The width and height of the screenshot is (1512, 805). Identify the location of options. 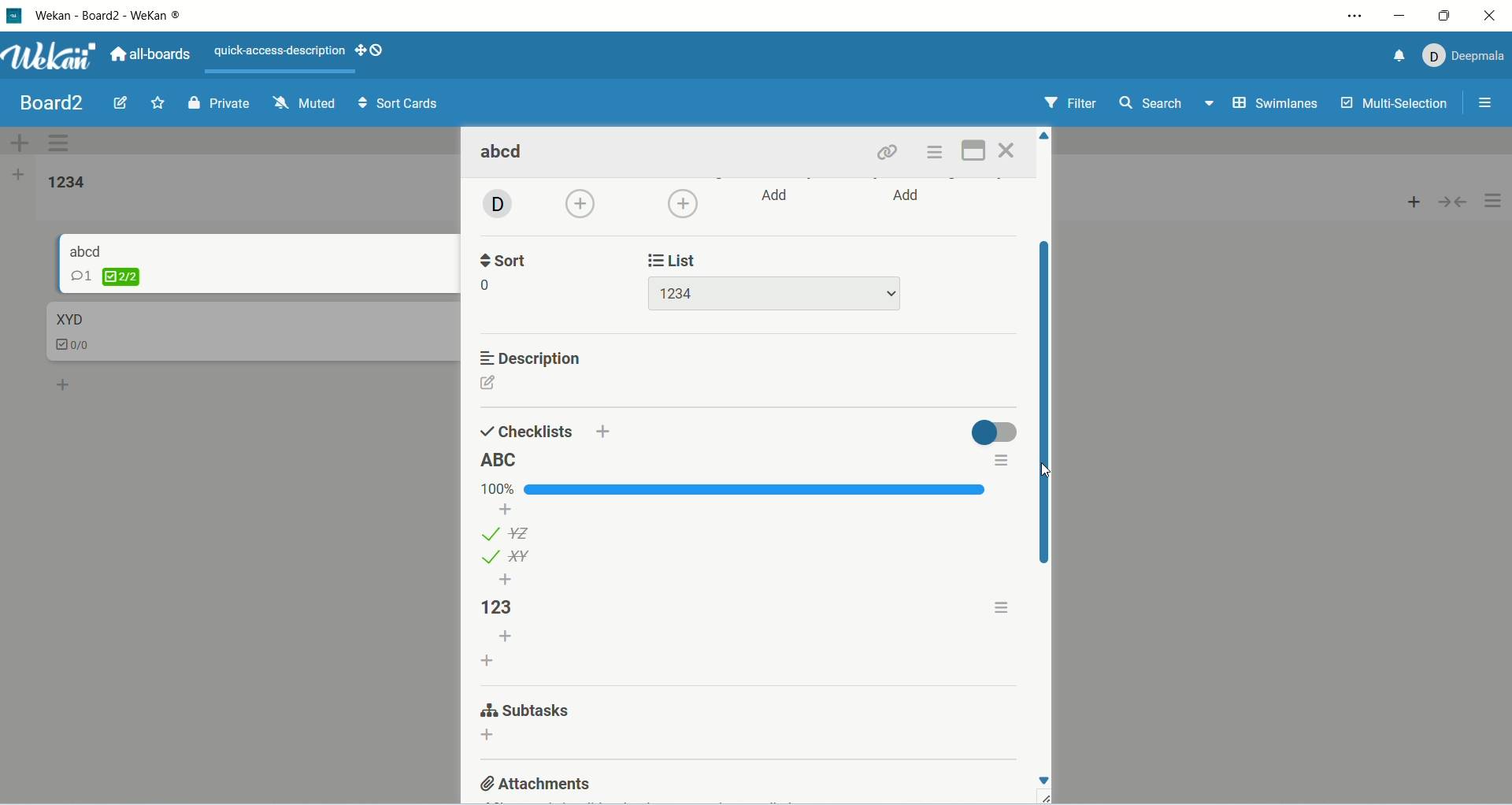
(1495, 202).